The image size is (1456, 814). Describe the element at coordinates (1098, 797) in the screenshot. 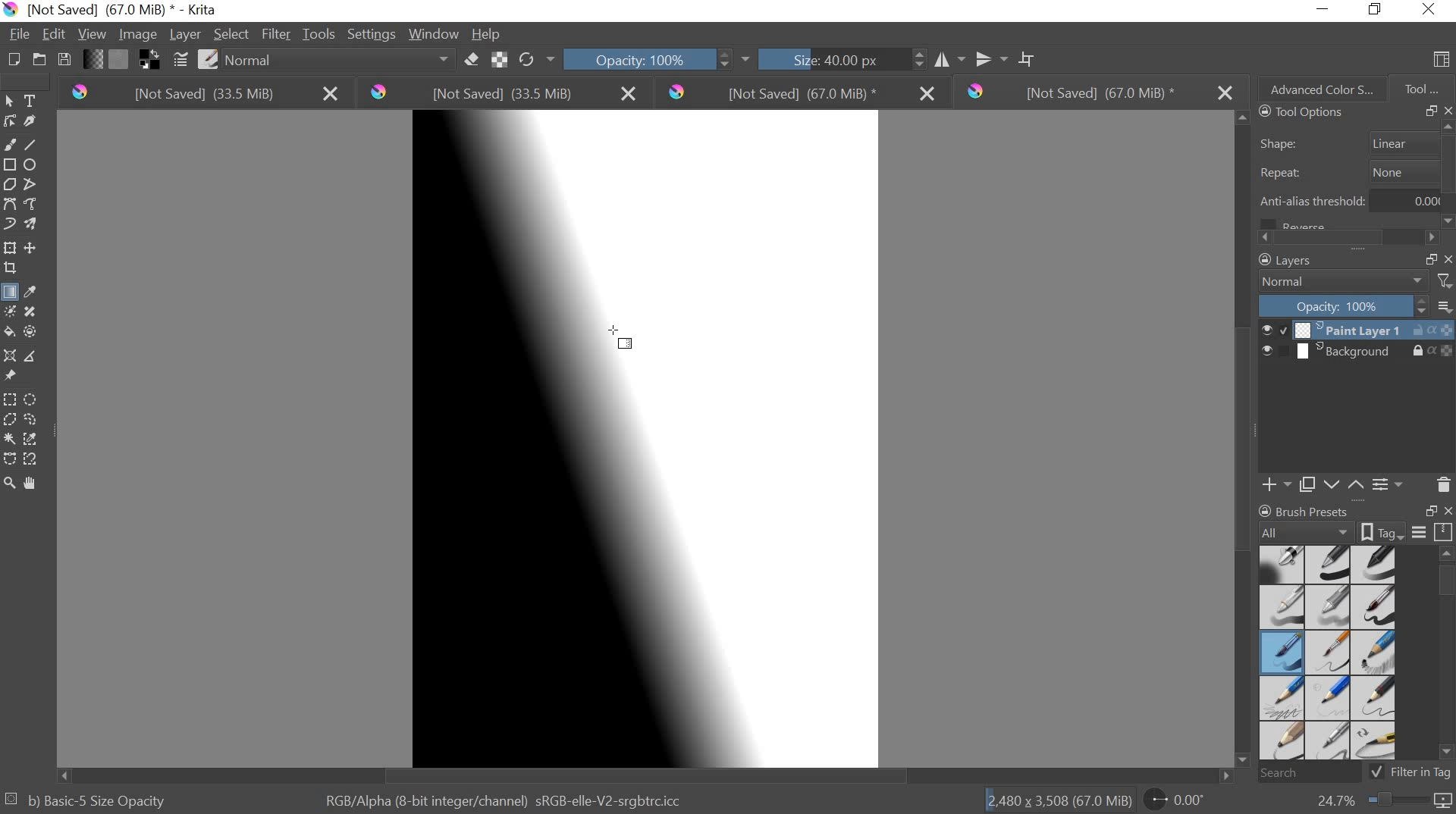

I see `2.480 x 3.508 (33.5 mb) 0.00` at that location.